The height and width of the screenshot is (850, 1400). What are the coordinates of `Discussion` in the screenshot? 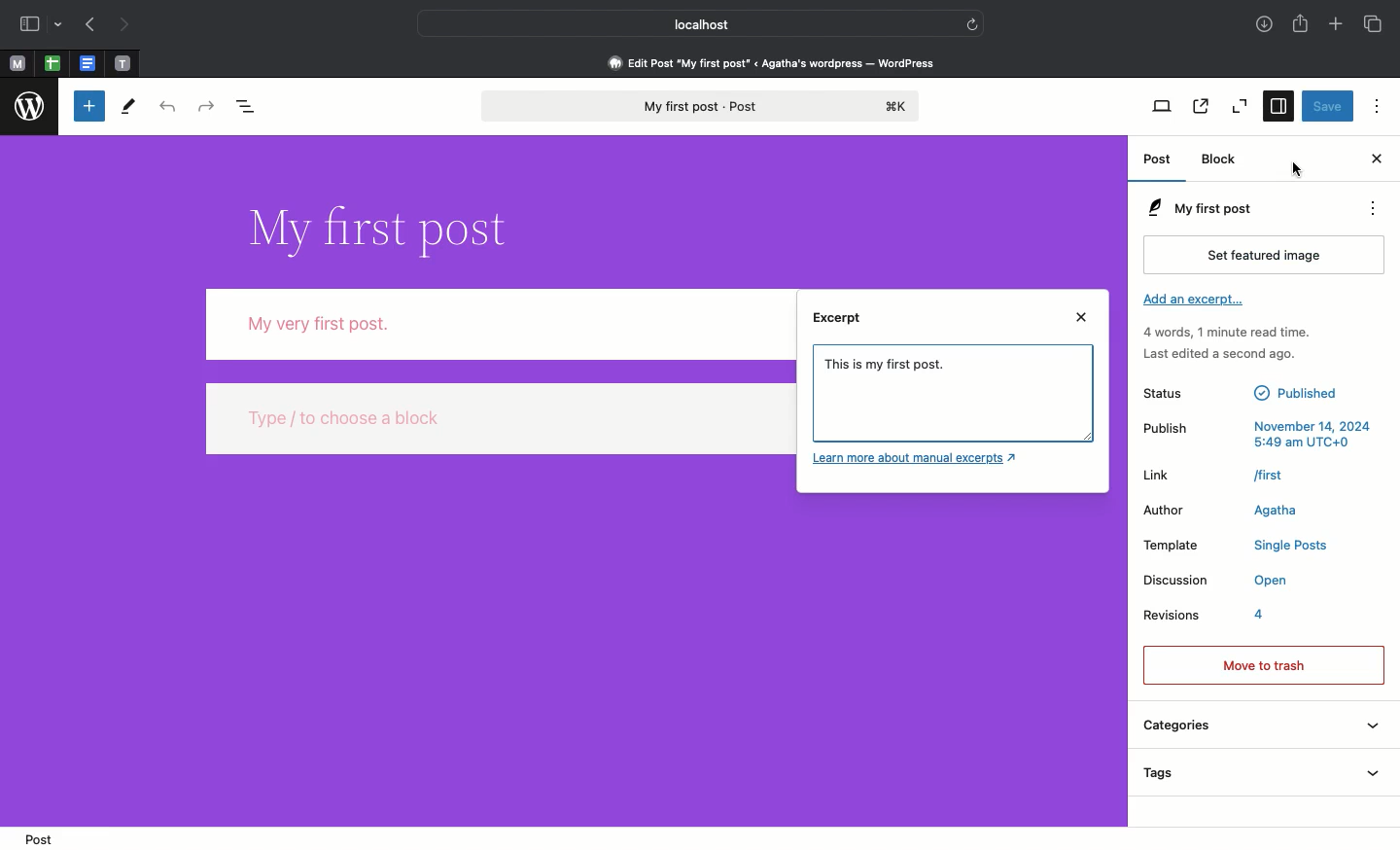 It's located at (1215, 583).